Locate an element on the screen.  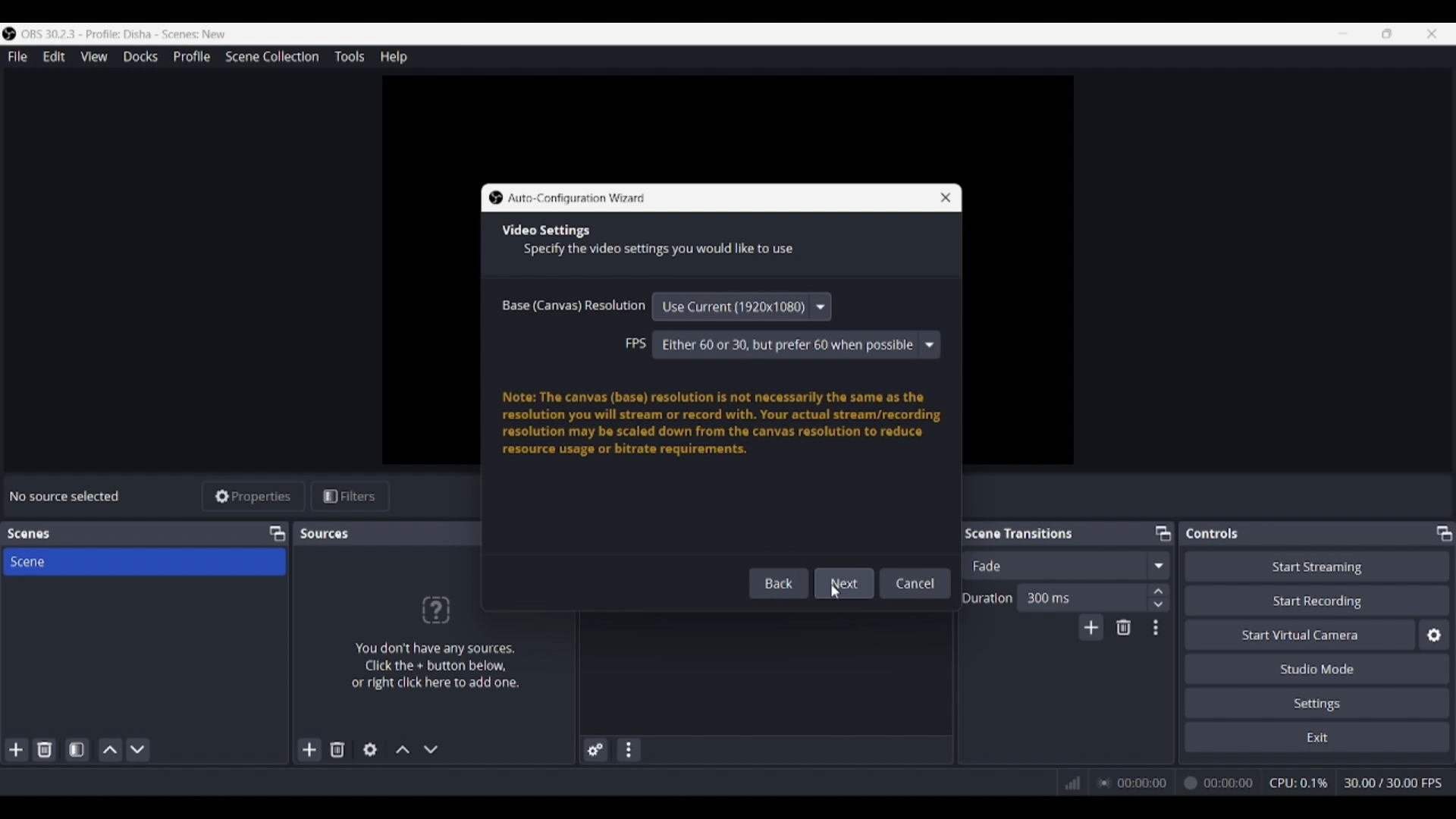
Close interface is located at coordinates (1432, 33).